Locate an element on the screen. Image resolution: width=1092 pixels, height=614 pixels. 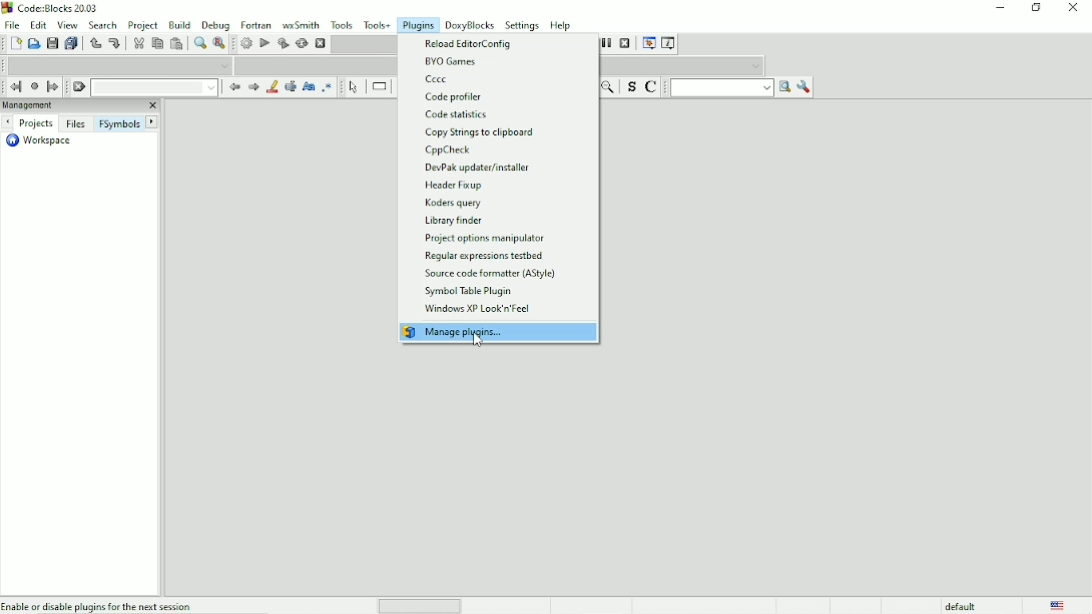
Build is located at coordinates (246, 43).